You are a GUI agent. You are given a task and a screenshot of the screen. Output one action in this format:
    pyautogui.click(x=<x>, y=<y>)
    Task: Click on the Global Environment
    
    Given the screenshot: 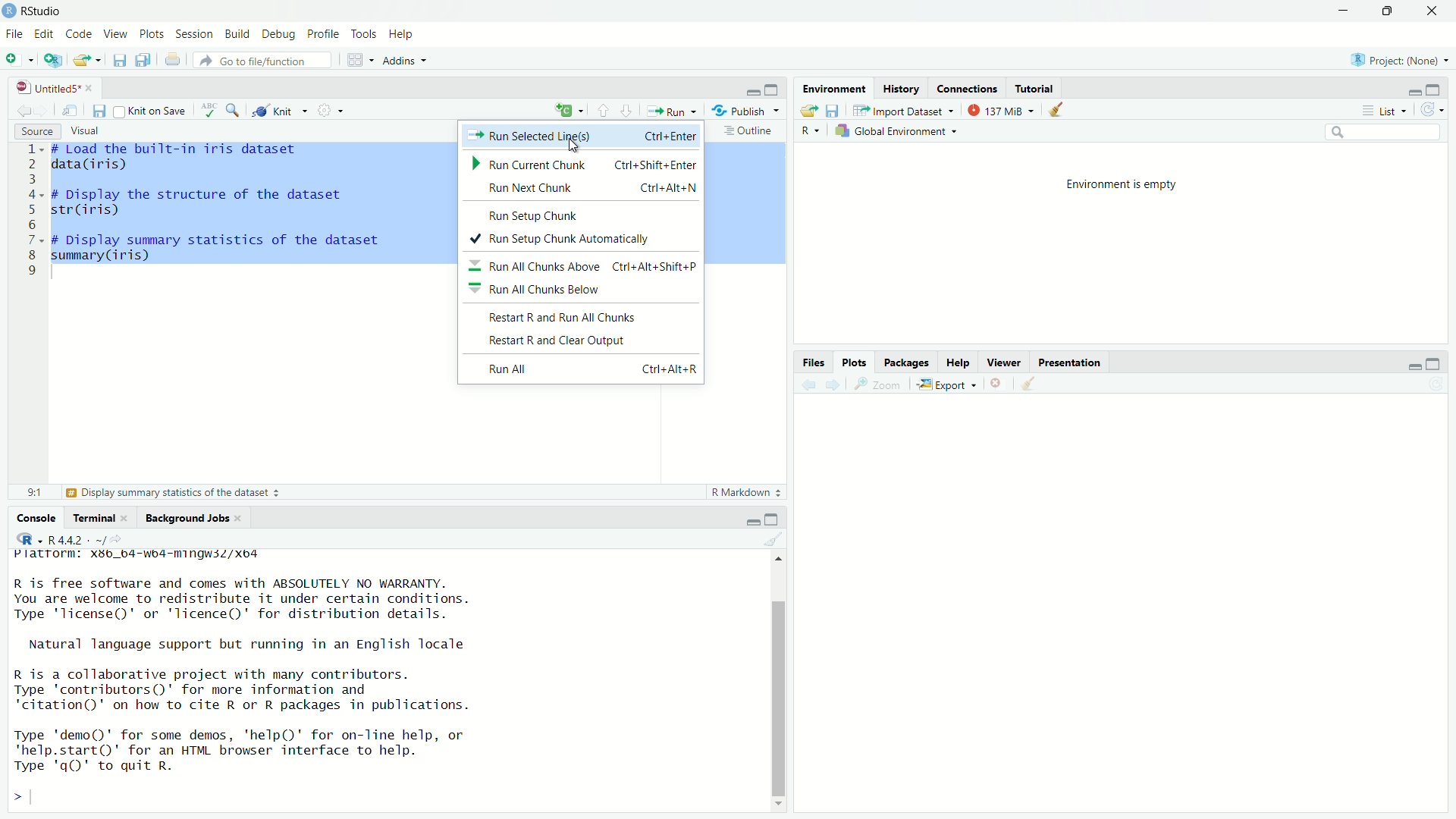 What is the action you would take?
    pyautogui.click(x=895, y=131)
    